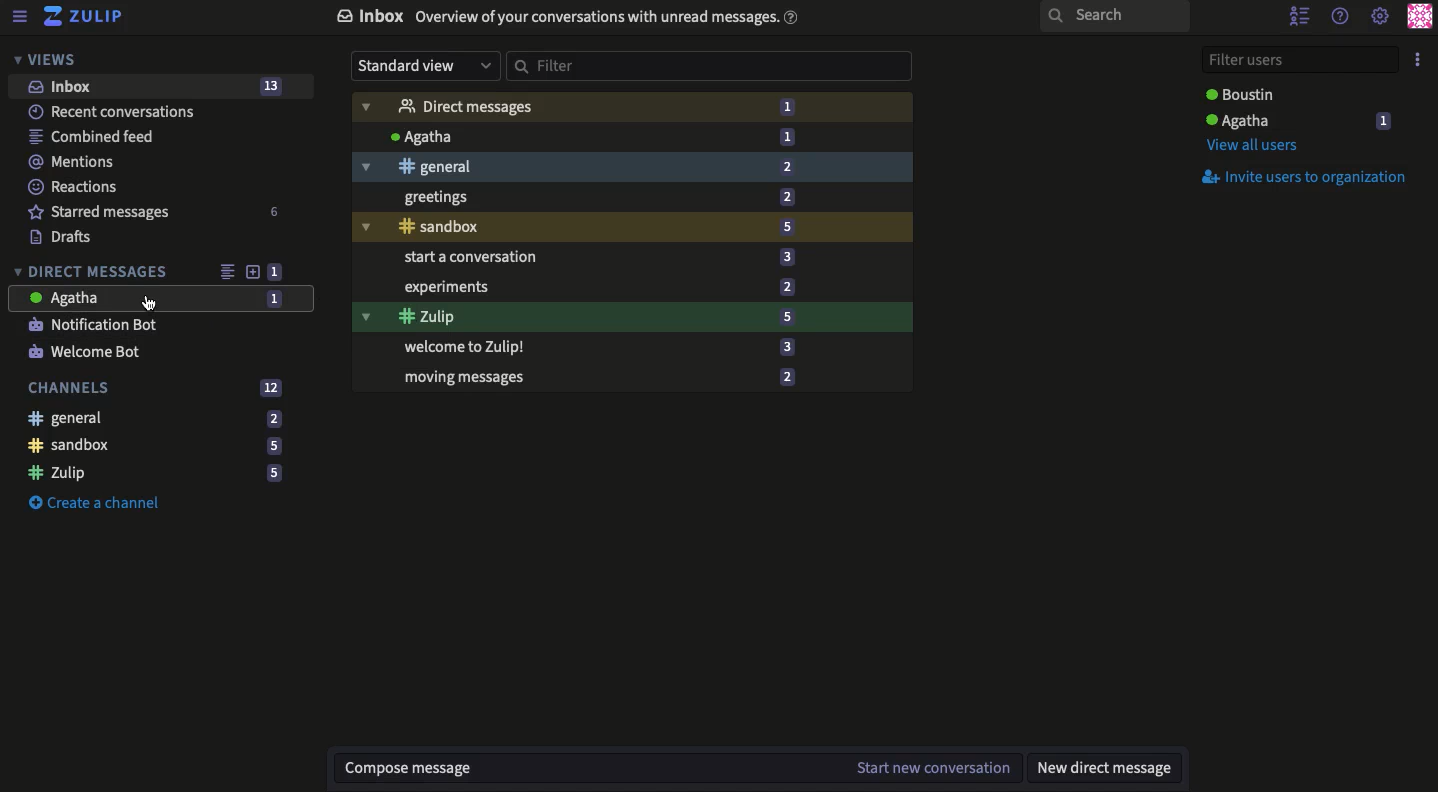  Describe the element at coordinates (75, 186) in the screenshot. I see `Reactions` at that location.